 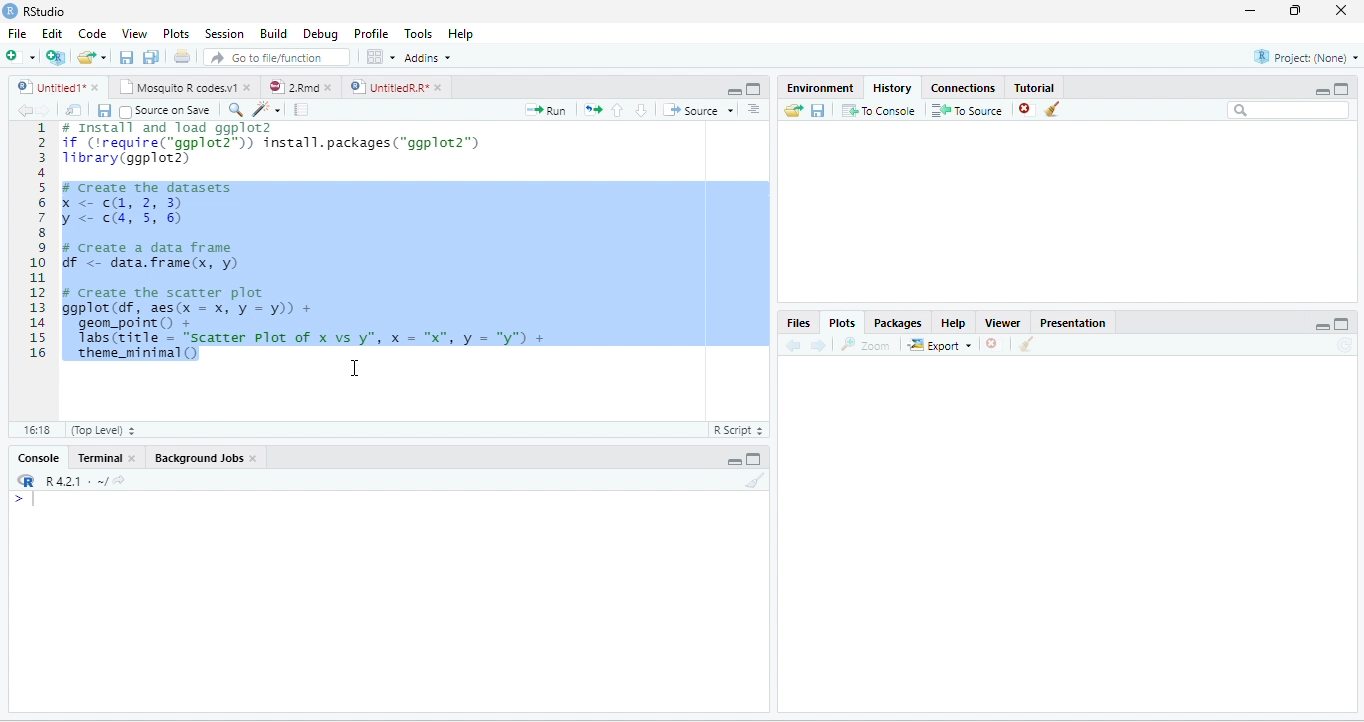 What do you see at coordinates (24, 111) in the screenshot?
I see `Go back to previous source location` at bounding box center [24, 111].